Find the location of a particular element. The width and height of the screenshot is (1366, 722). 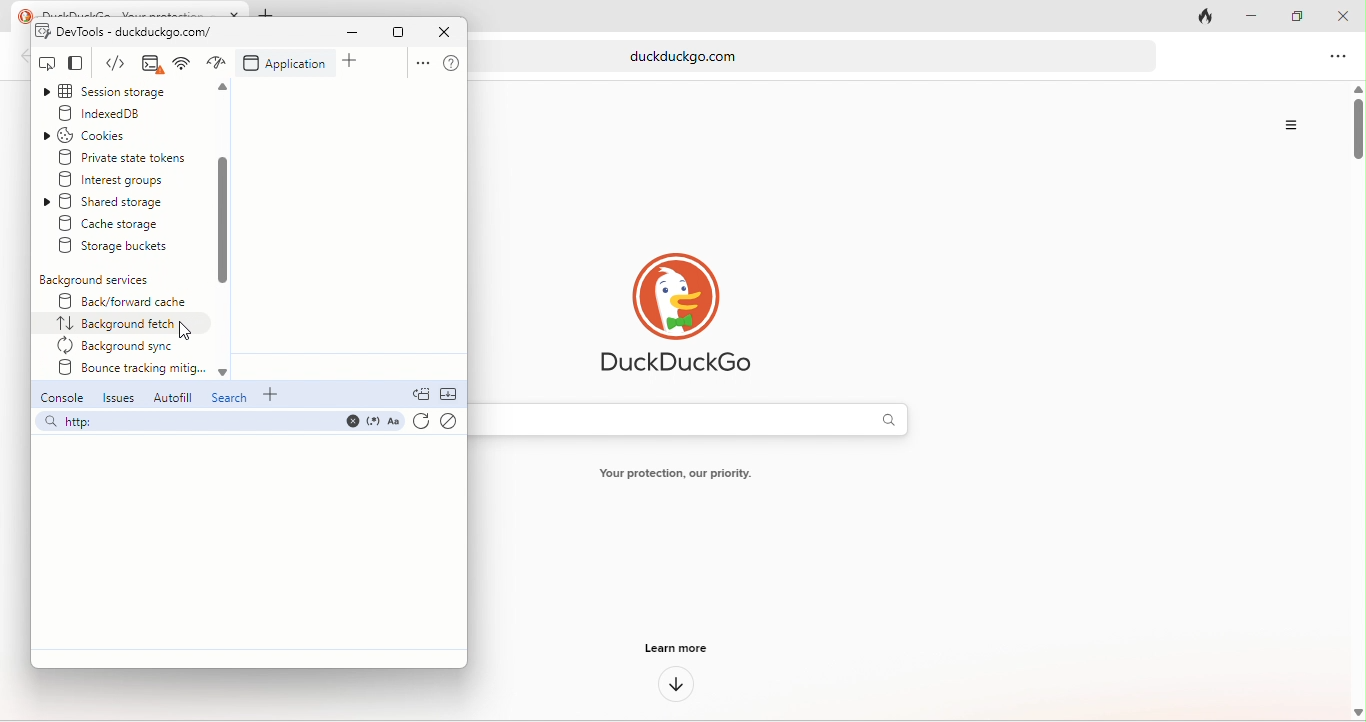

cursor movement is located at coordinates (183, 332).